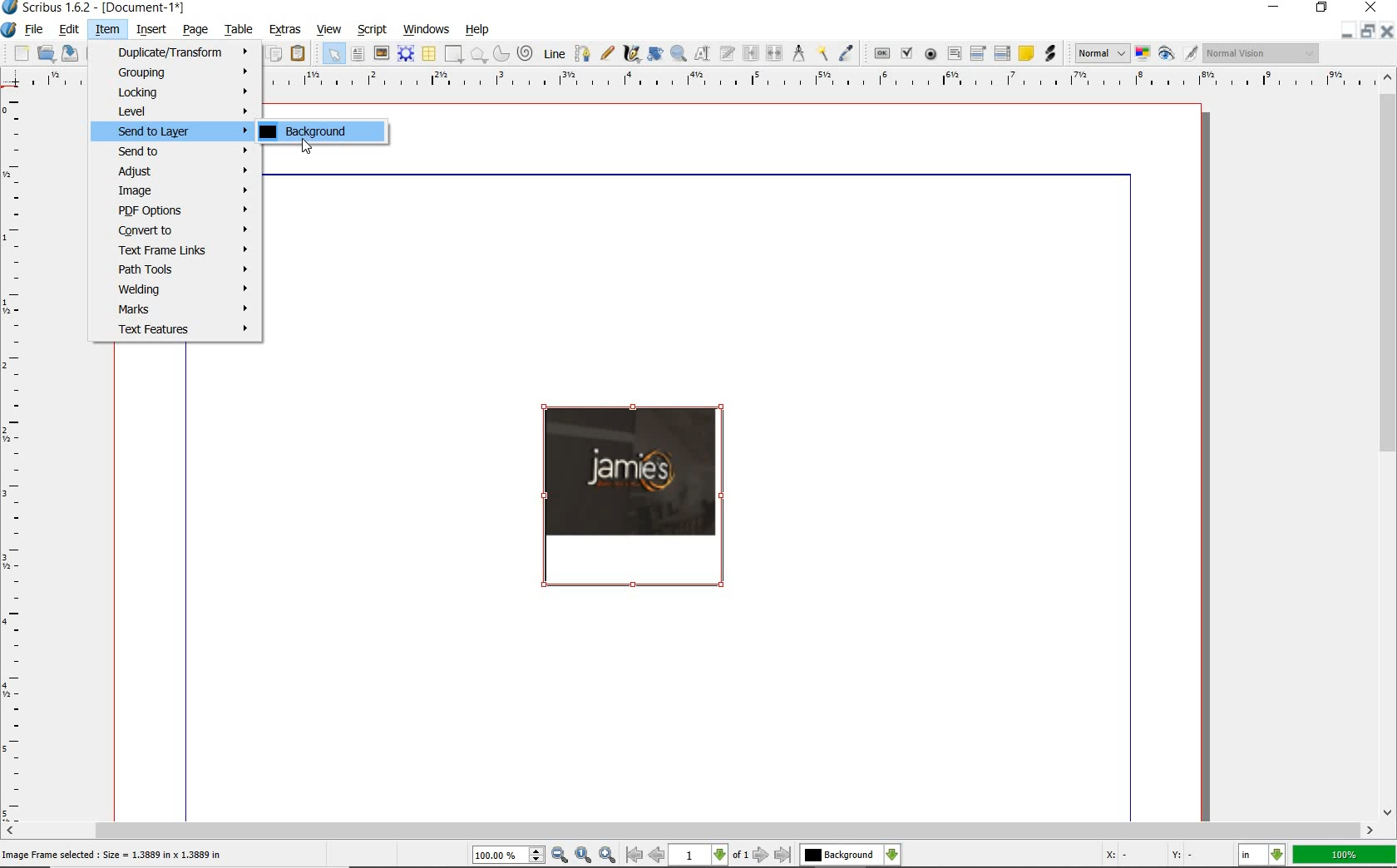 Image resolution: width=1397 pixels, height=868 pixels. Describe the element at coordinates (1177, 52) in the screenshot. I see `preview mode` at that location.